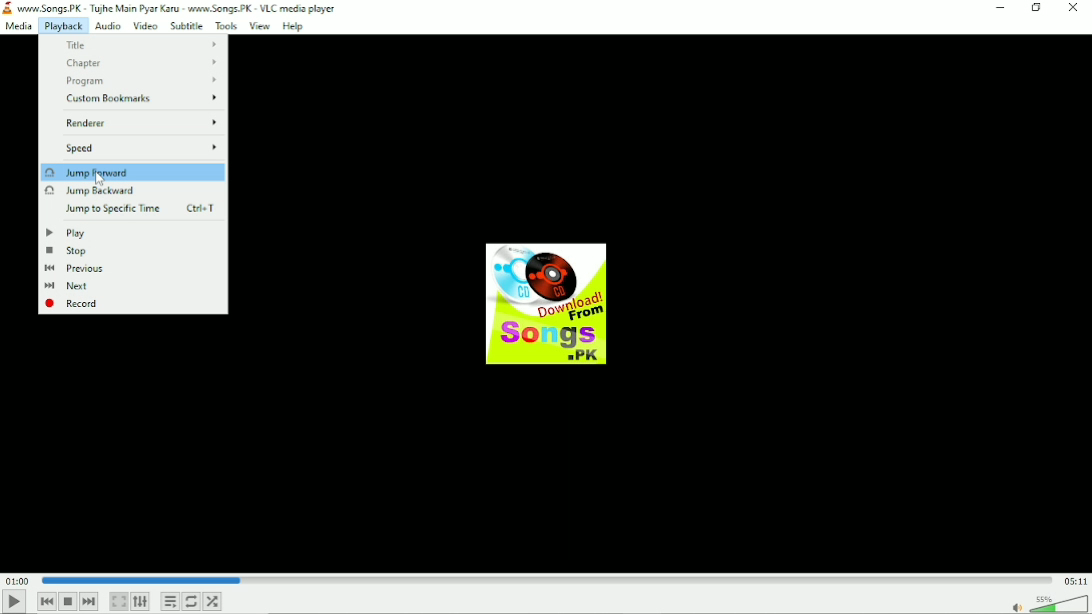 The image size is (1092, 614). What do you see at coordinates (91, 192) in the screenshot?
I see `Jump backward` at bounding box center [91, 192].